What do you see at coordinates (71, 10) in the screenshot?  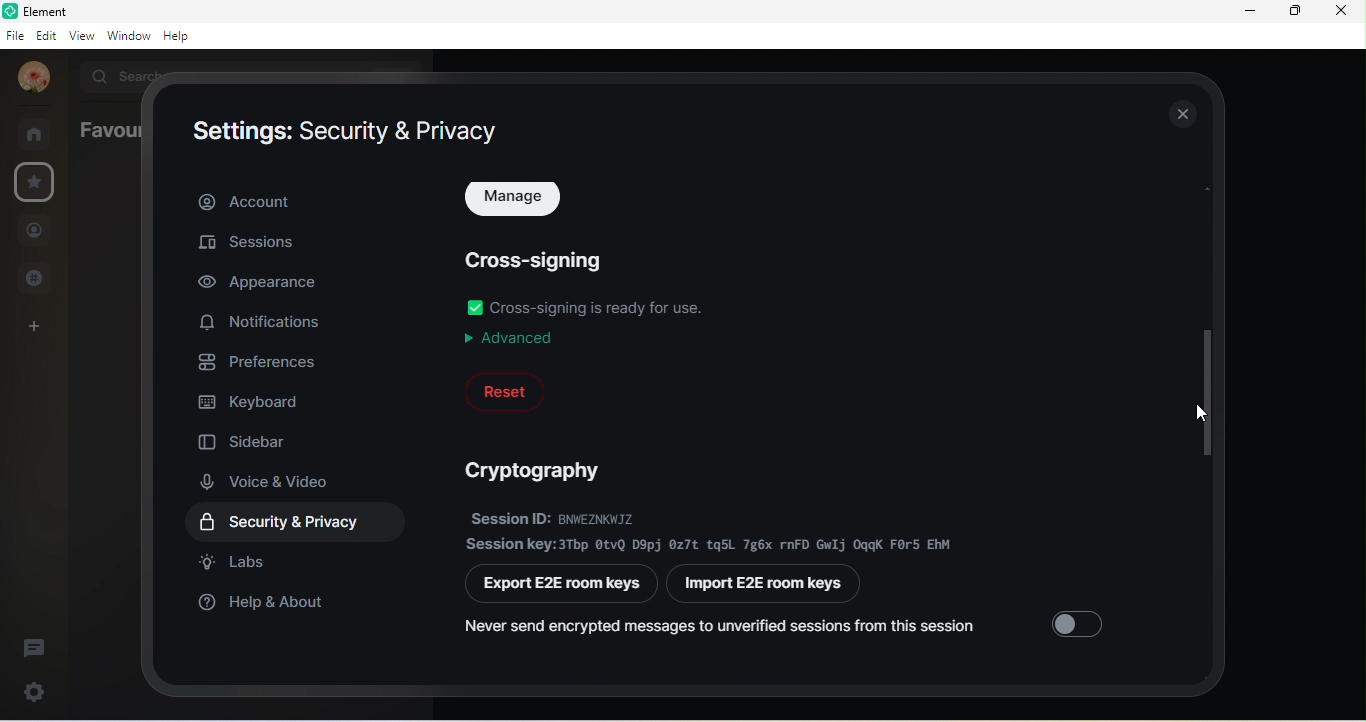 I see `element b room` at bounding box center [71, 10].